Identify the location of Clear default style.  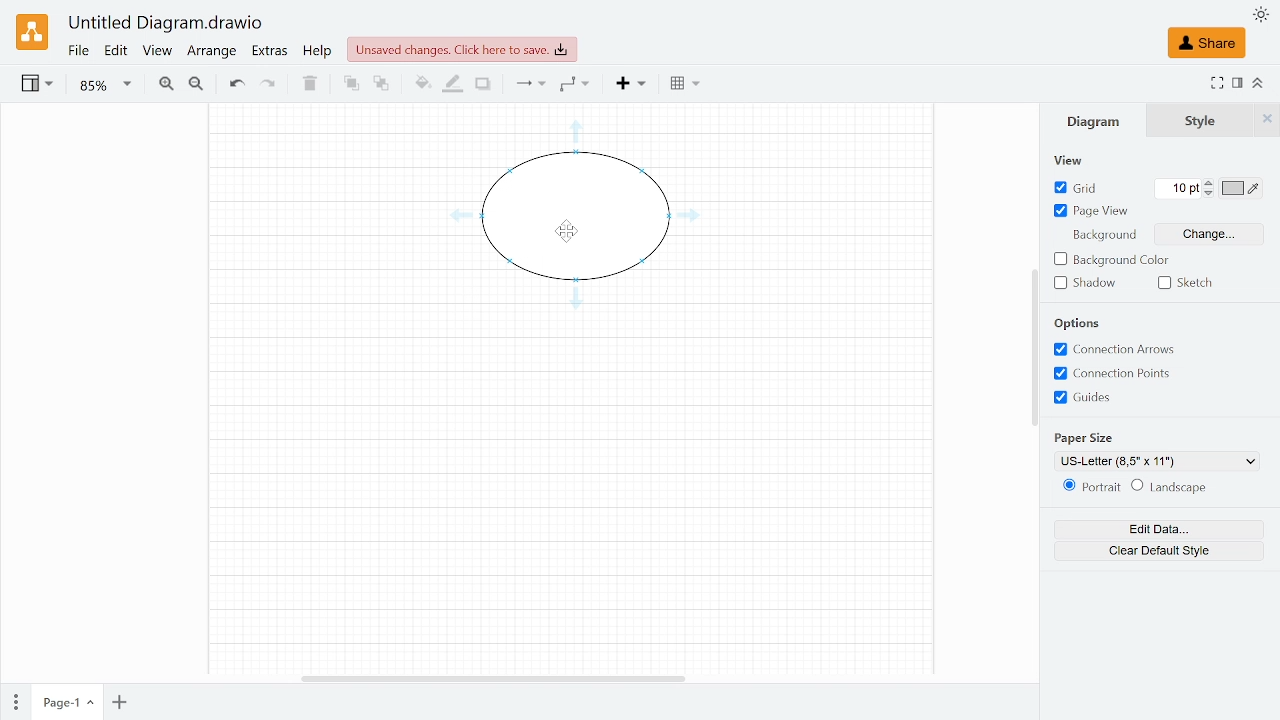
(1155, 551).